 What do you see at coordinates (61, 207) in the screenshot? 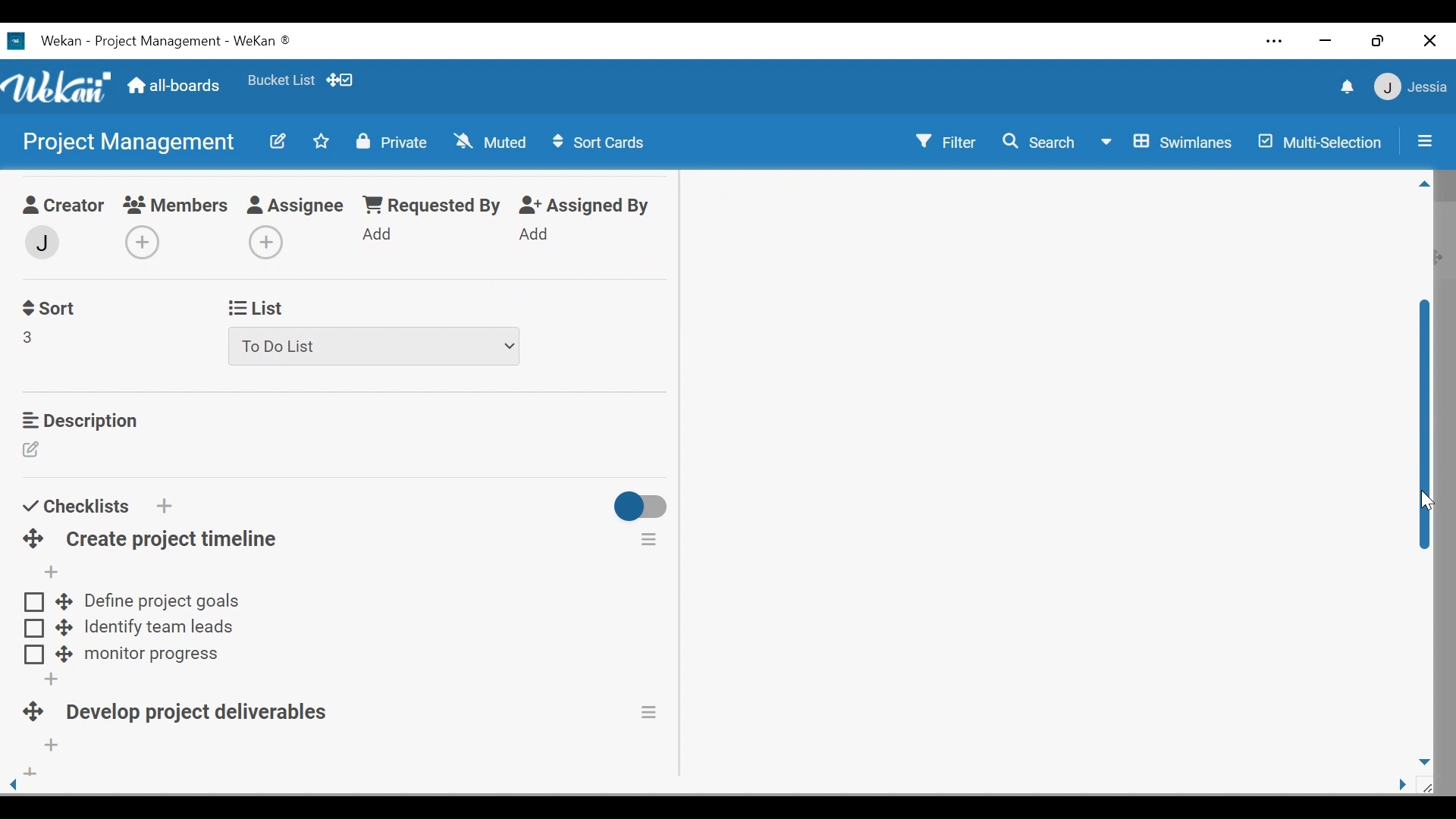
I see `Creator` at bounding box center [61, 207].